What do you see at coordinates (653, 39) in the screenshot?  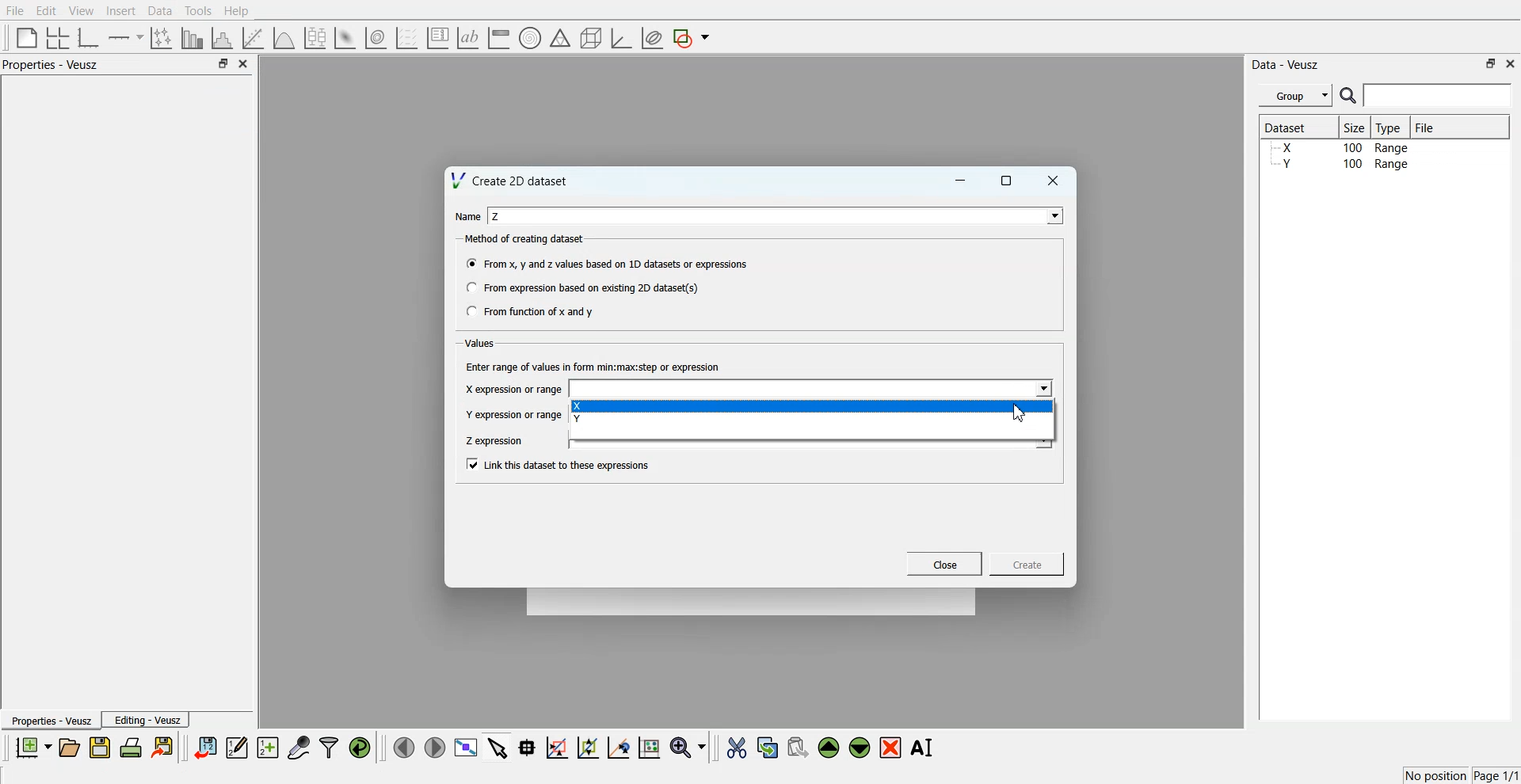 I see `Plot covariance ellipsis` at bounding box center [653, 39].